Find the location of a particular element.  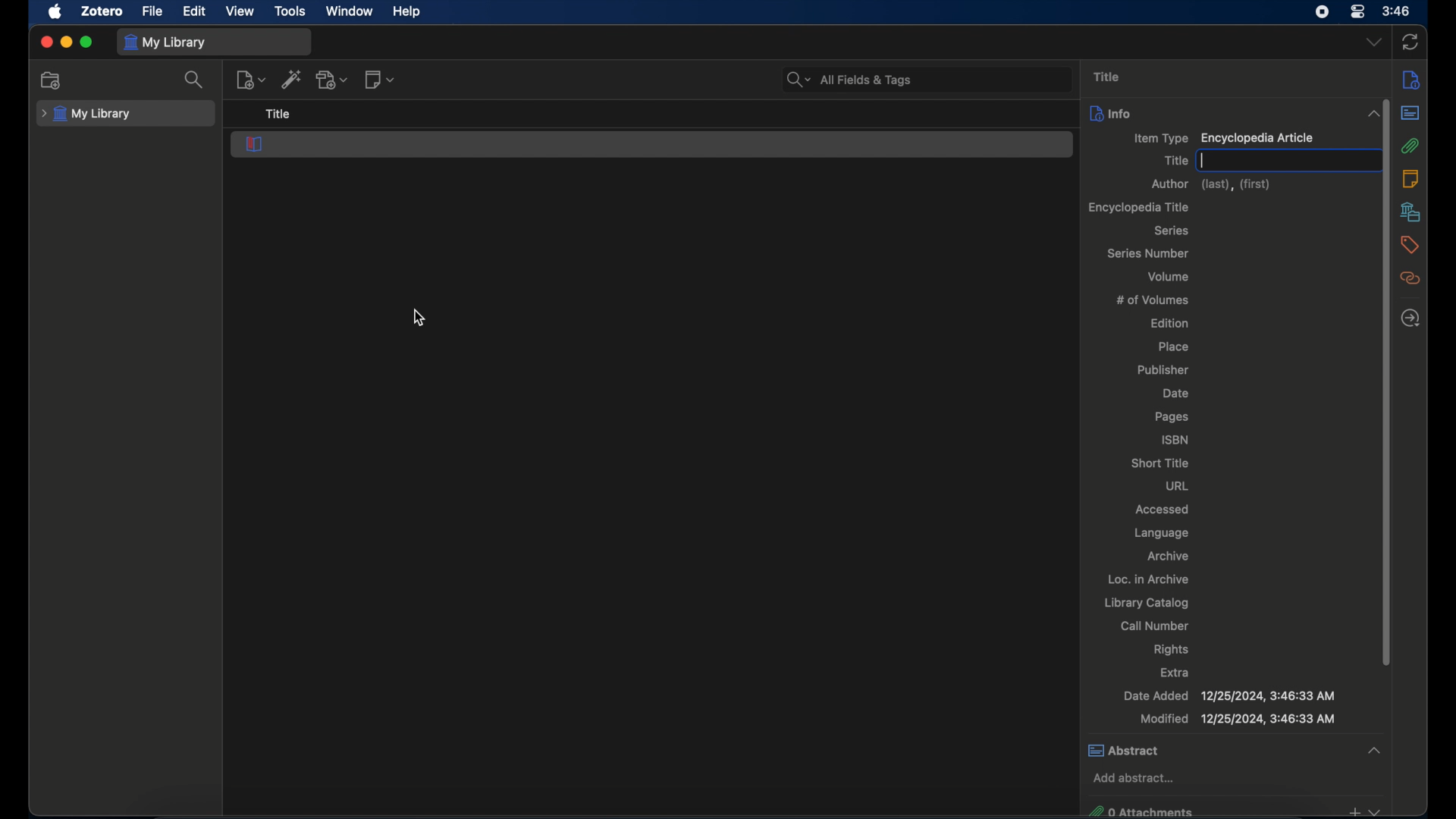

close is located at coordinates (45, 42).